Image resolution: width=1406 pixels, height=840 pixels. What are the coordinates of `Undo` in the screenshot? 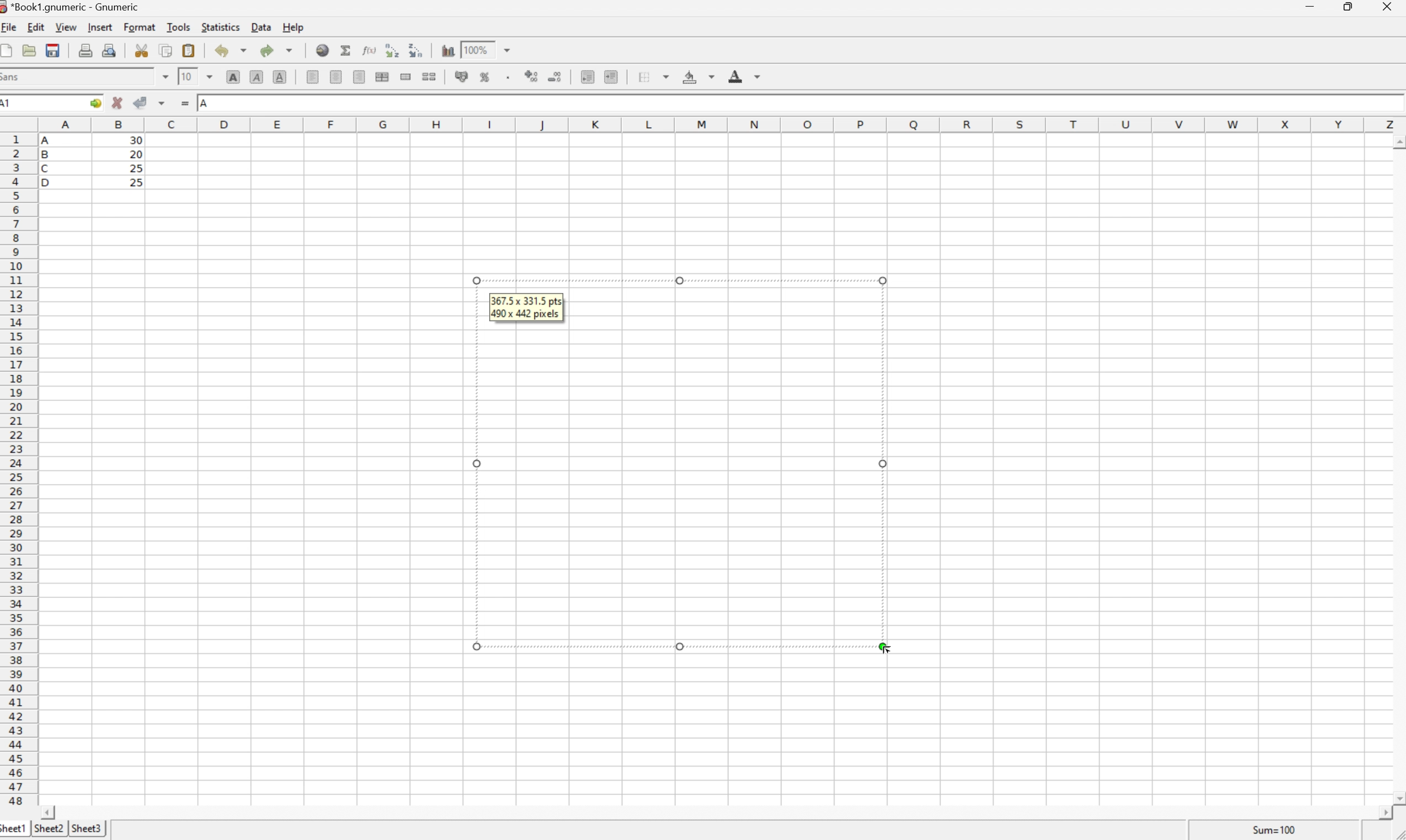 It's located at (230, 50).